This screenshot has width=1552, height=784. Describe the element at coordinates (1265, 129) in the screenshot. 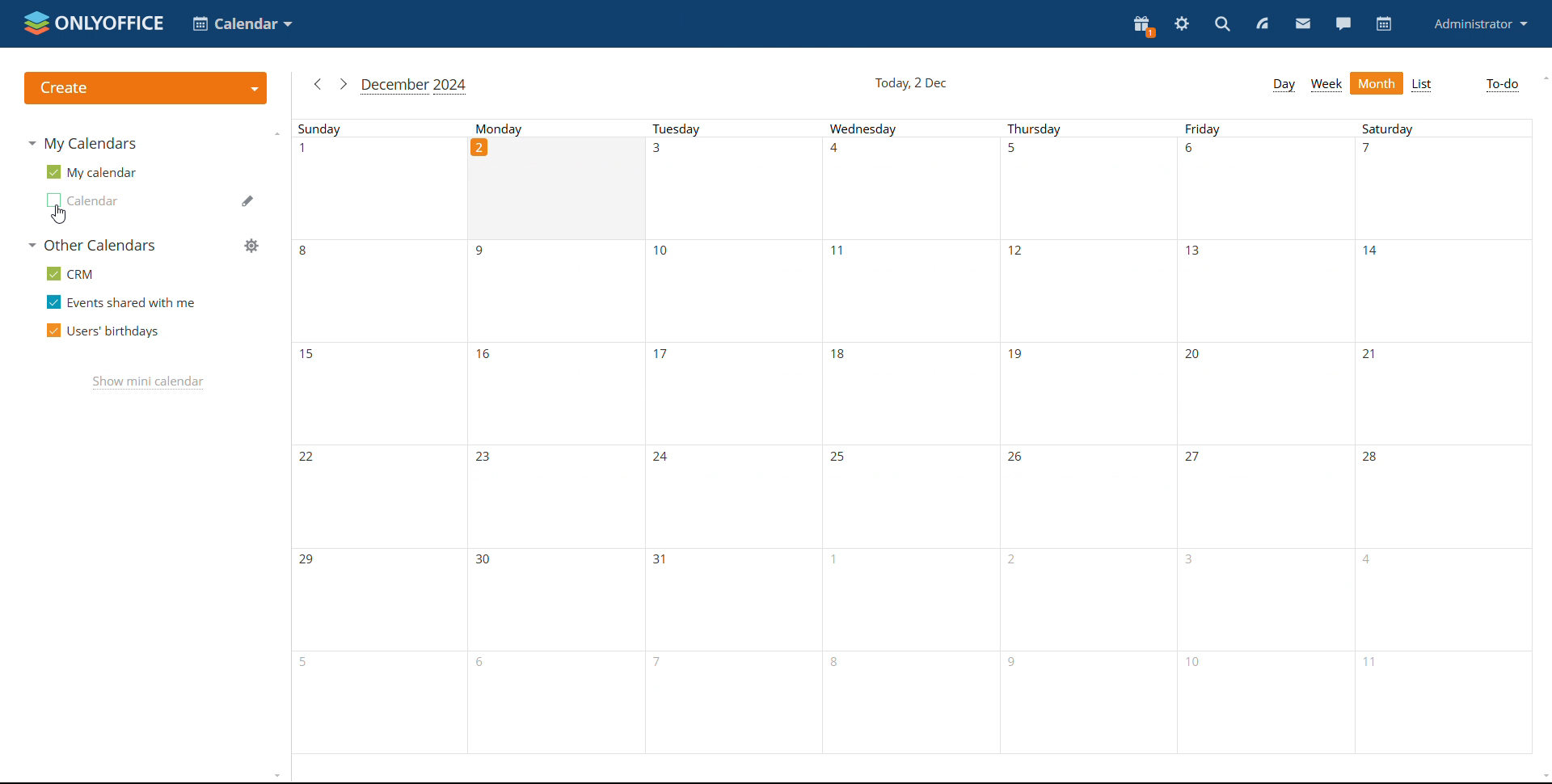

I see `friday` at that location.